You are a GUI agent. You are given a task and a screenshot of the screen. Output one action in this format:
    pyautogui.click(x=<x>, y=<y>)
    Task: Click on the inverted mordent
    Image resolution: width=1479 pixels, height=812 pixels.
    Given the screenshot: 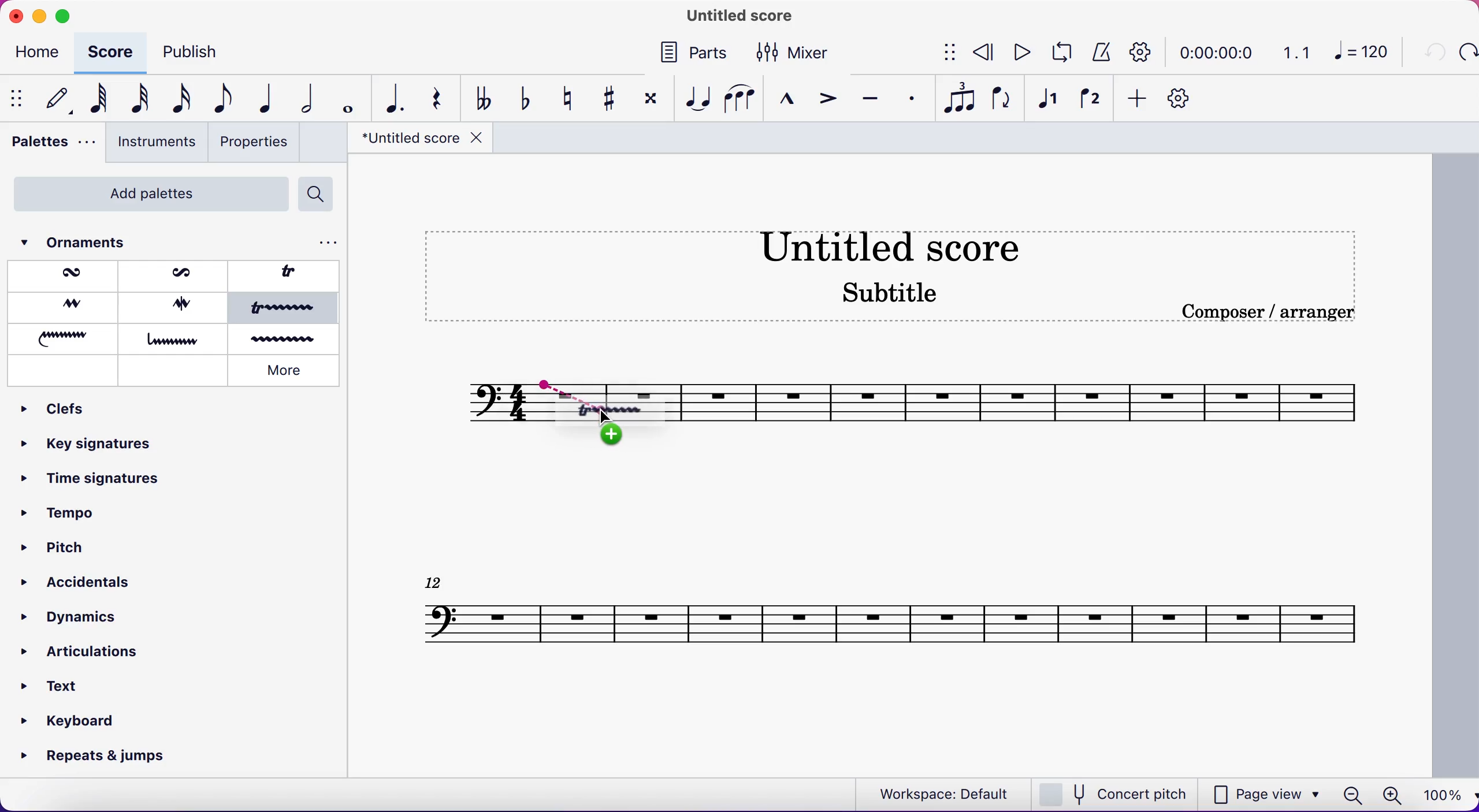 What is the action you would take?
    pyautogui.click(x=176, y=275)
    